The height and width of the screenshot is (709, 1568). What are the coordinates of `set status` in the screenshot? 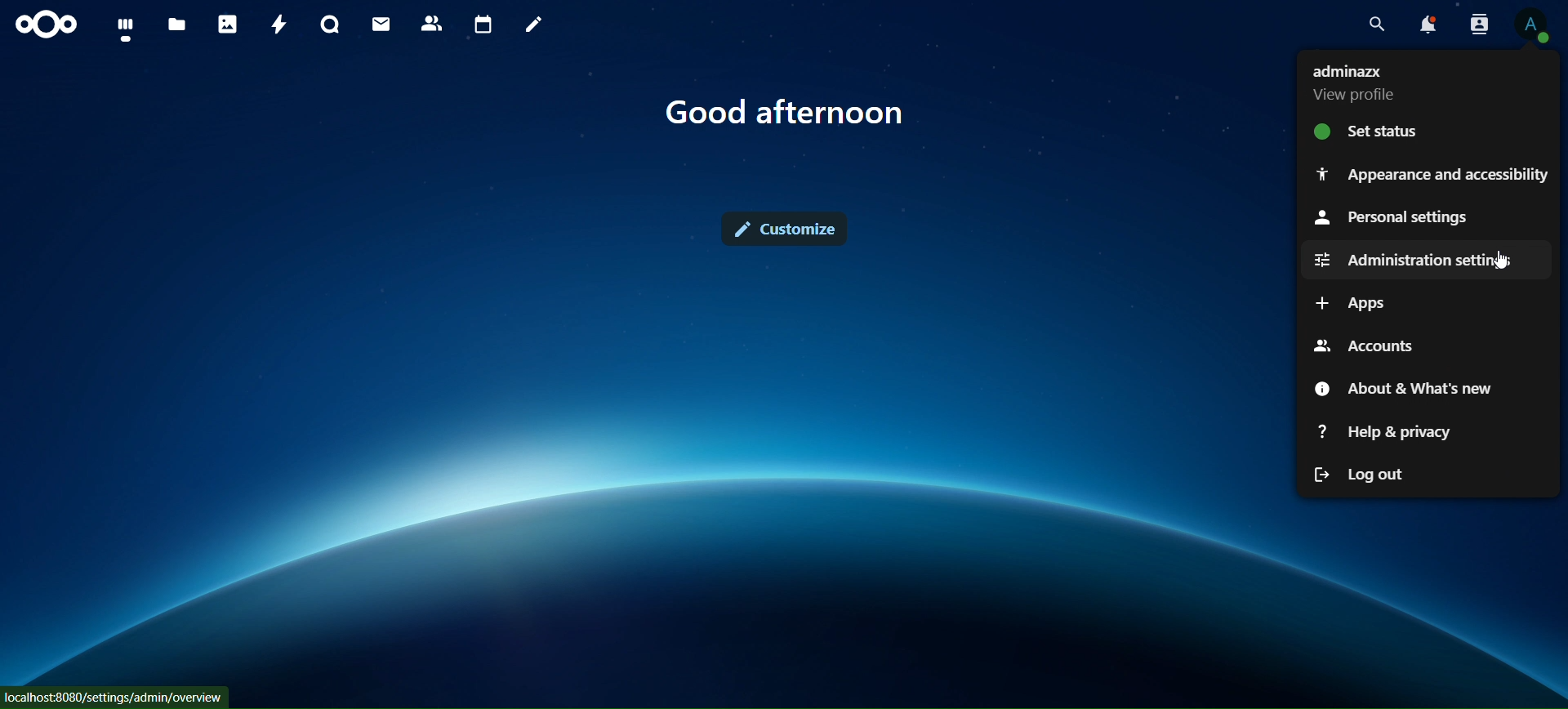 It's located at (1372, 132).